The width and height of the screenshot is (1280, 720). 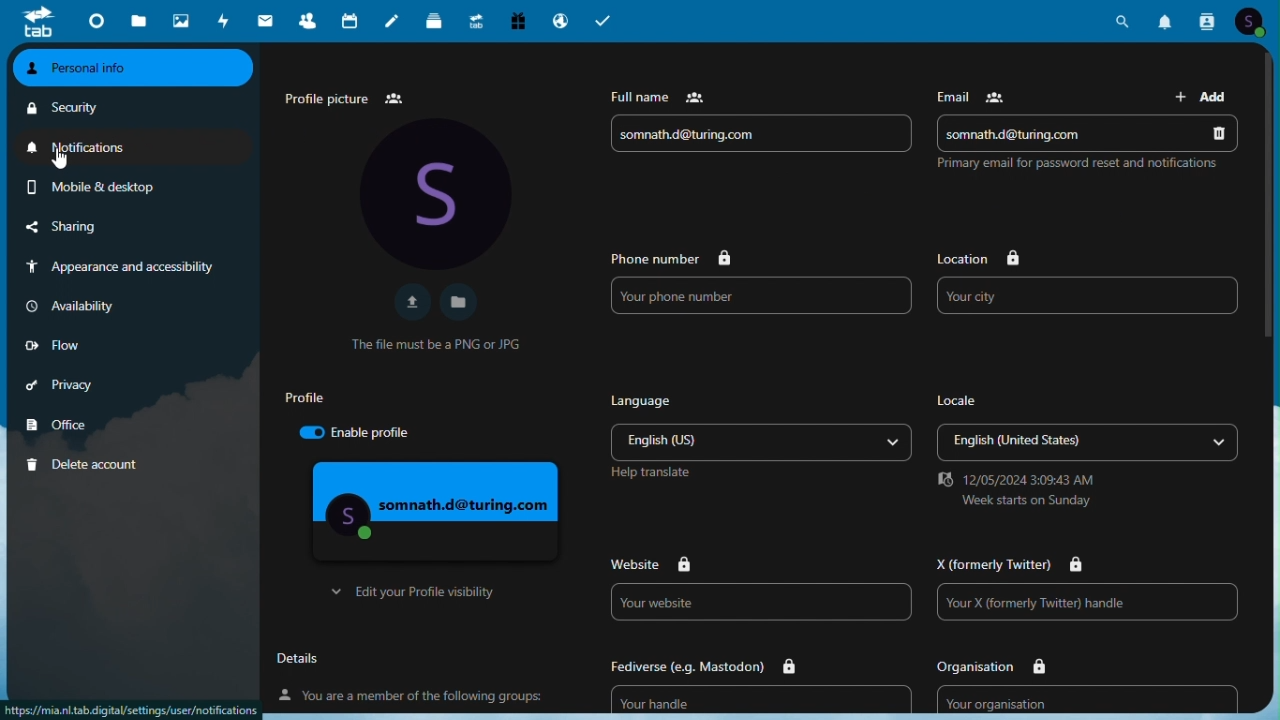 What do you see at coordinates (62, 160) in the screenshot?
I see `cursor` at bounding box center [62, 160].